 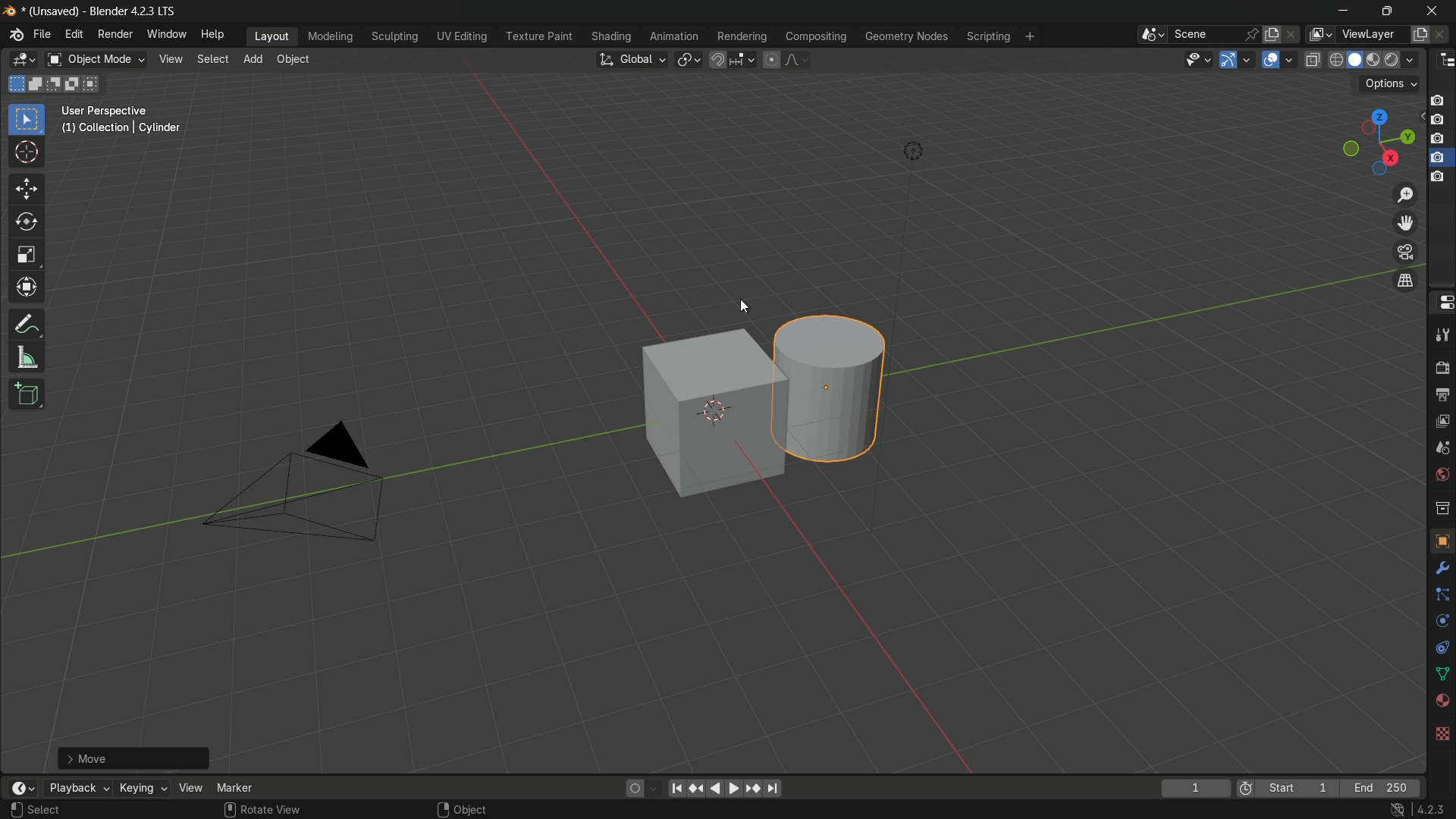 I want to click on proportional editing object, so click(x=771, y=60).